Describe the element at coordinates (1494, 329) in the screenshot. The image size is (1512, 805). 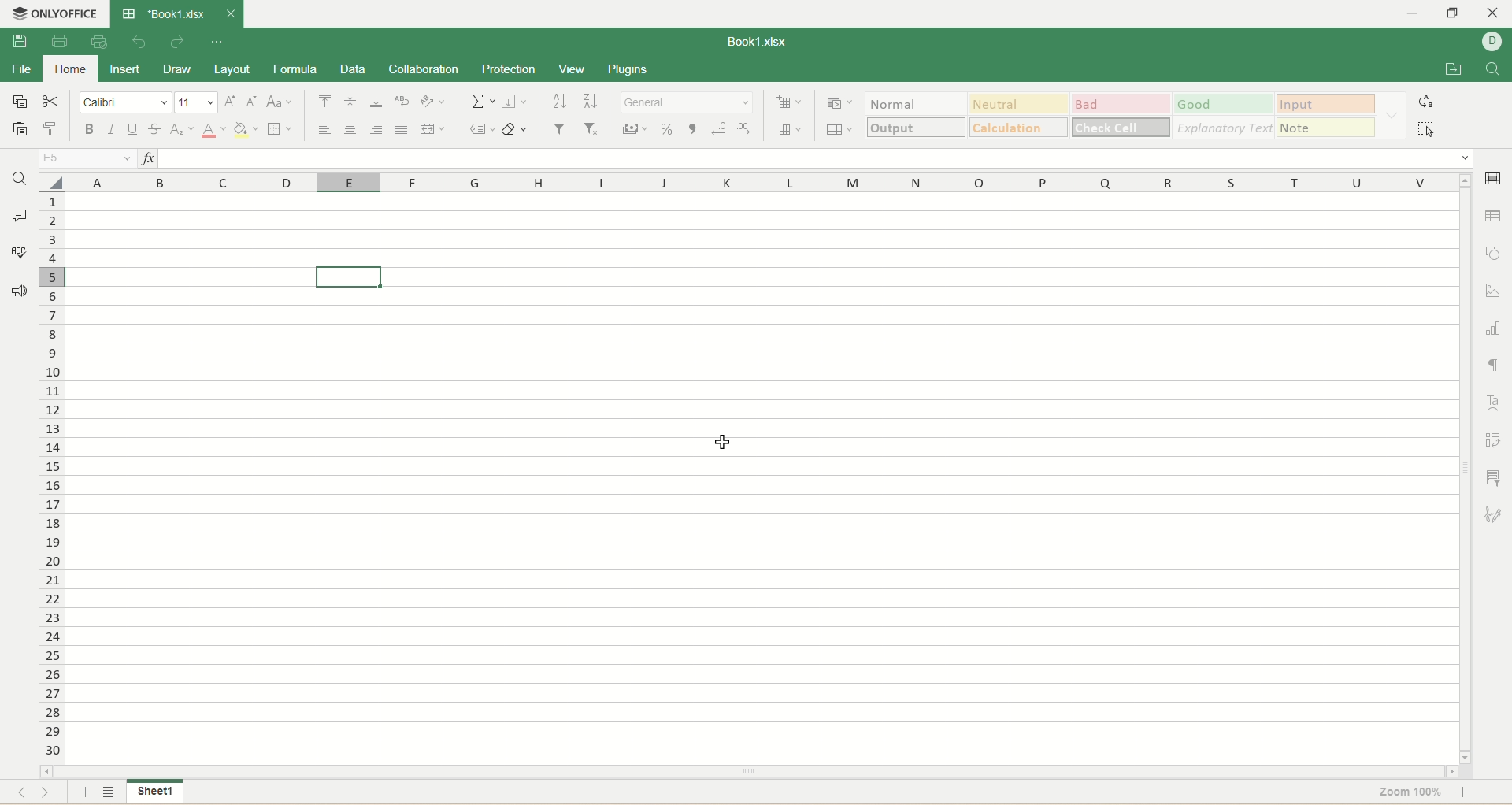
I see `chart settings` at that location.